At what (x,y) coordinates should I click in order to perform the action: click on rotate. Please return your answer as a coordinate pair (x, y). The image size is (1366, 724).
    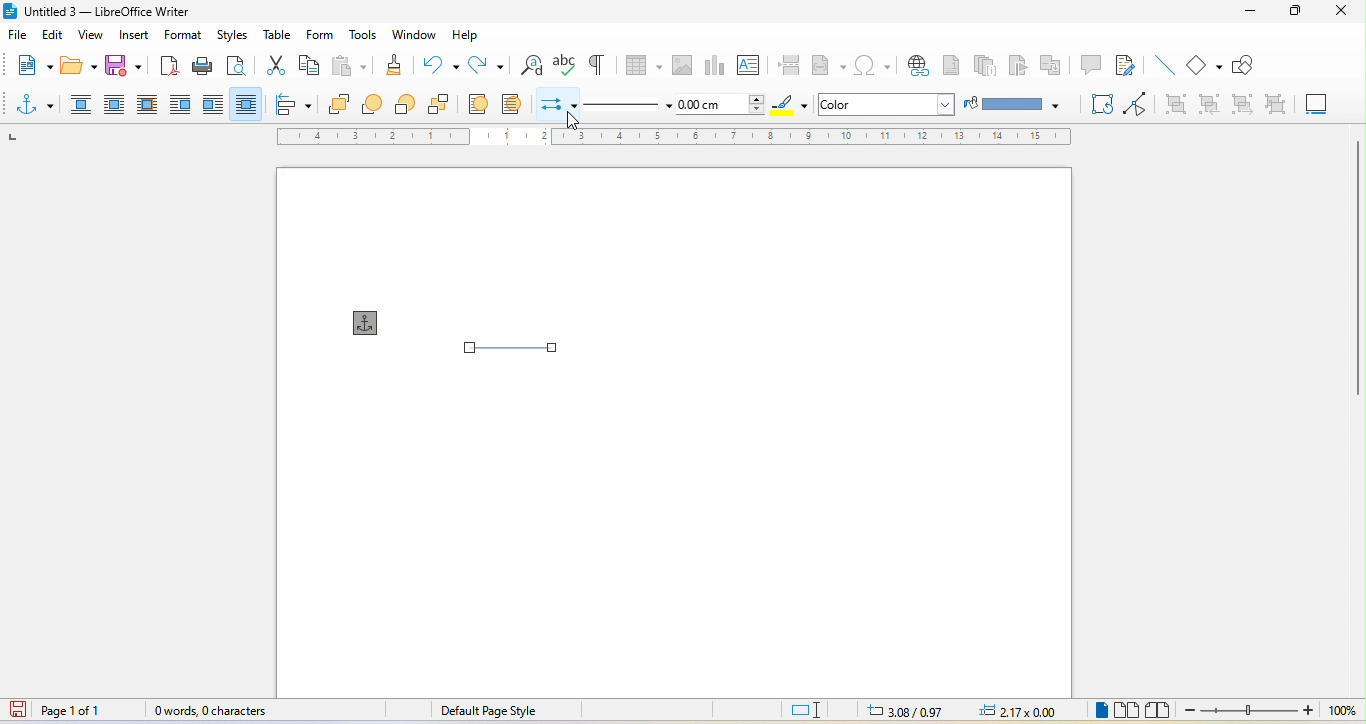
    Looking at the image, I should click on (1100, 103).